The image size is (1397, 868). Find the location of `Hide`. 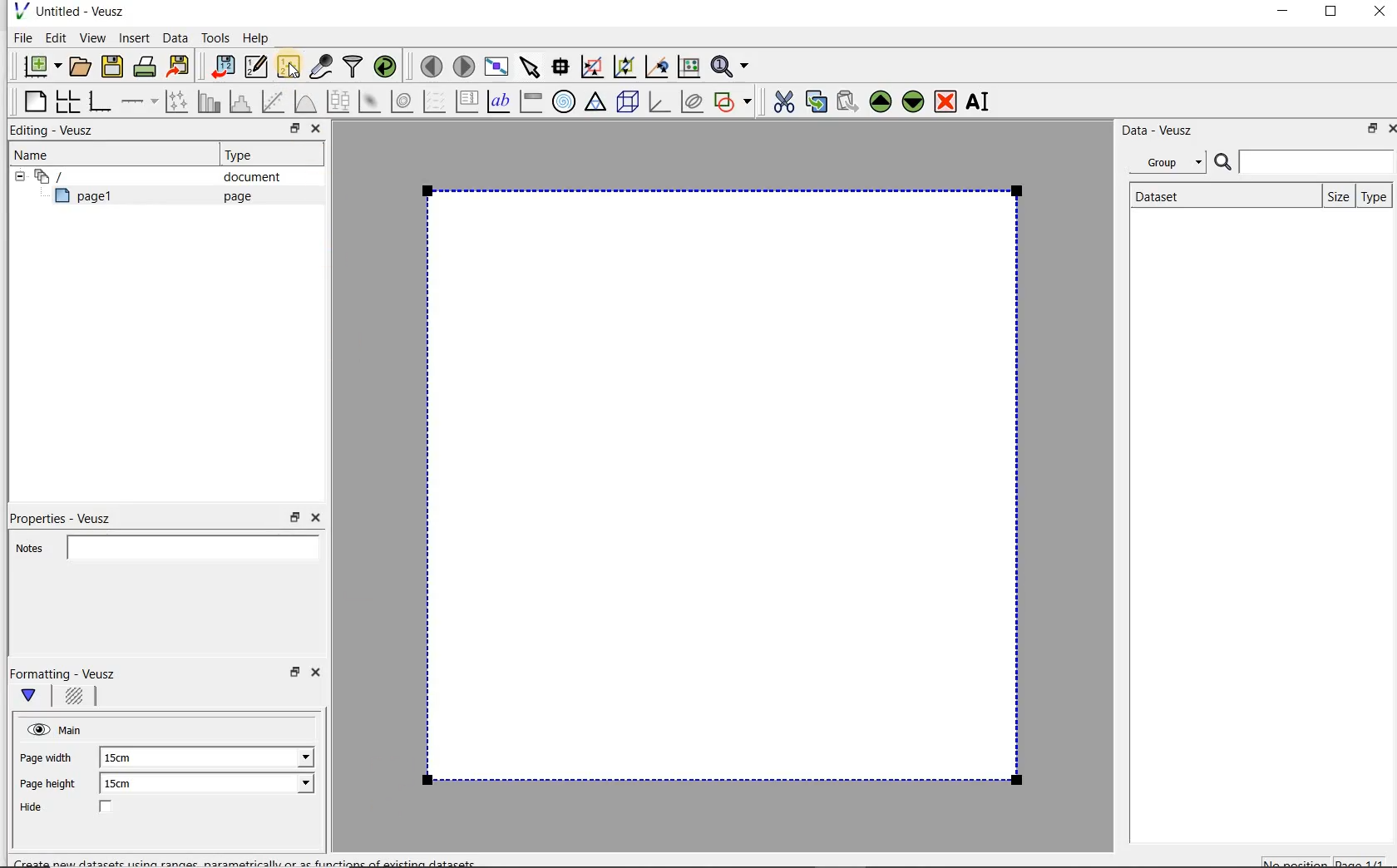

Hide is located at coordinates (82, 808).